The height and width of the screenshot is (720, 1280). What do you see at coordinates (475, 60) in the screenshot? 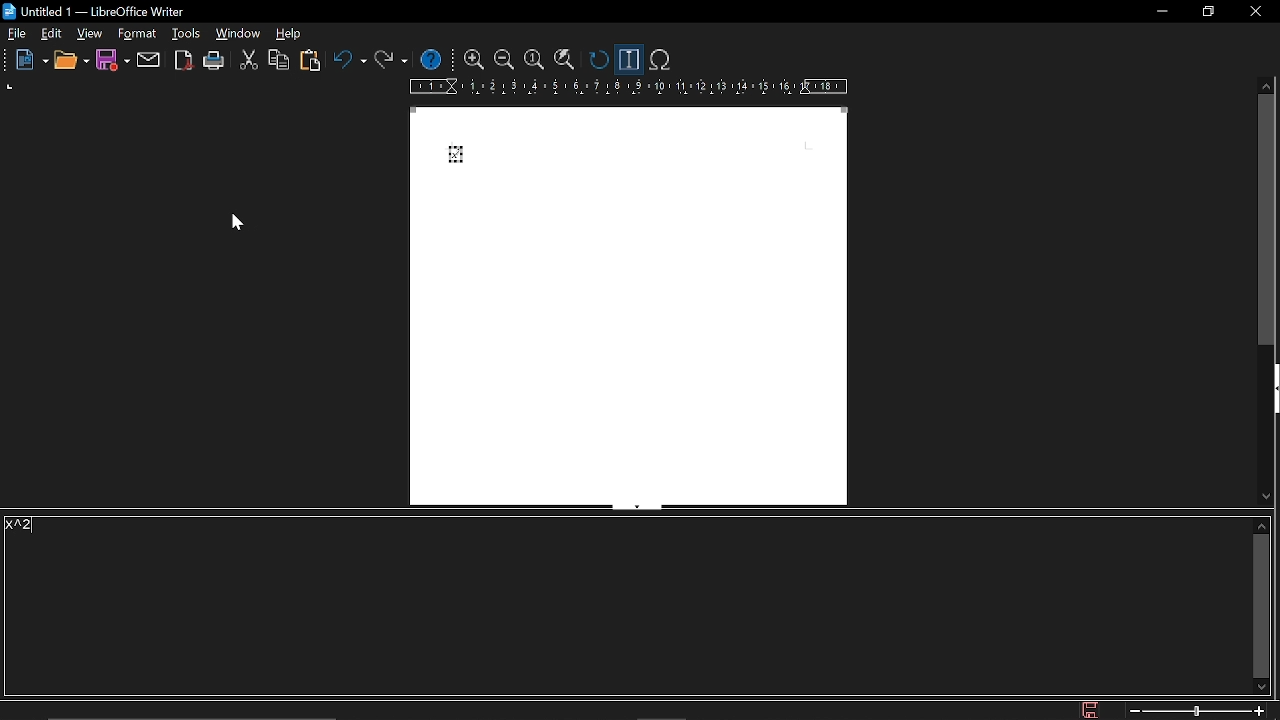
I see `zoom in` at bounding box center [475, 60].